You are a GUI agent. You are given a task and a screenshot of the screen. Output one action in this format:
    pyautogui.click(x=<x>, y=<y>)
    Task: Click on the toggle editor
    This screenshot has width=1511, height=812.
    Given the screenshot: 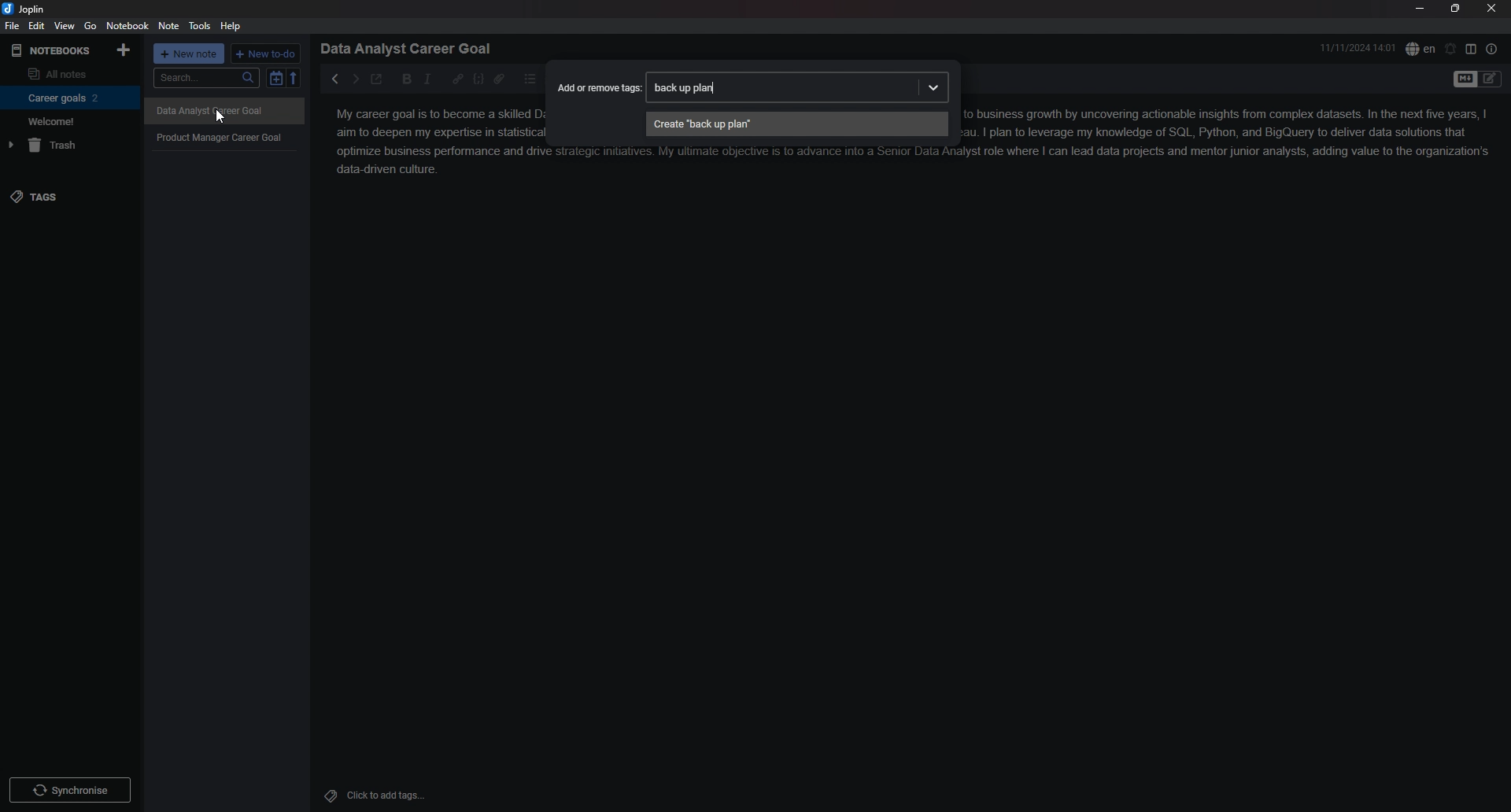 What is the action you would take?
    pyautogui.click(x=1464, y=80)
    